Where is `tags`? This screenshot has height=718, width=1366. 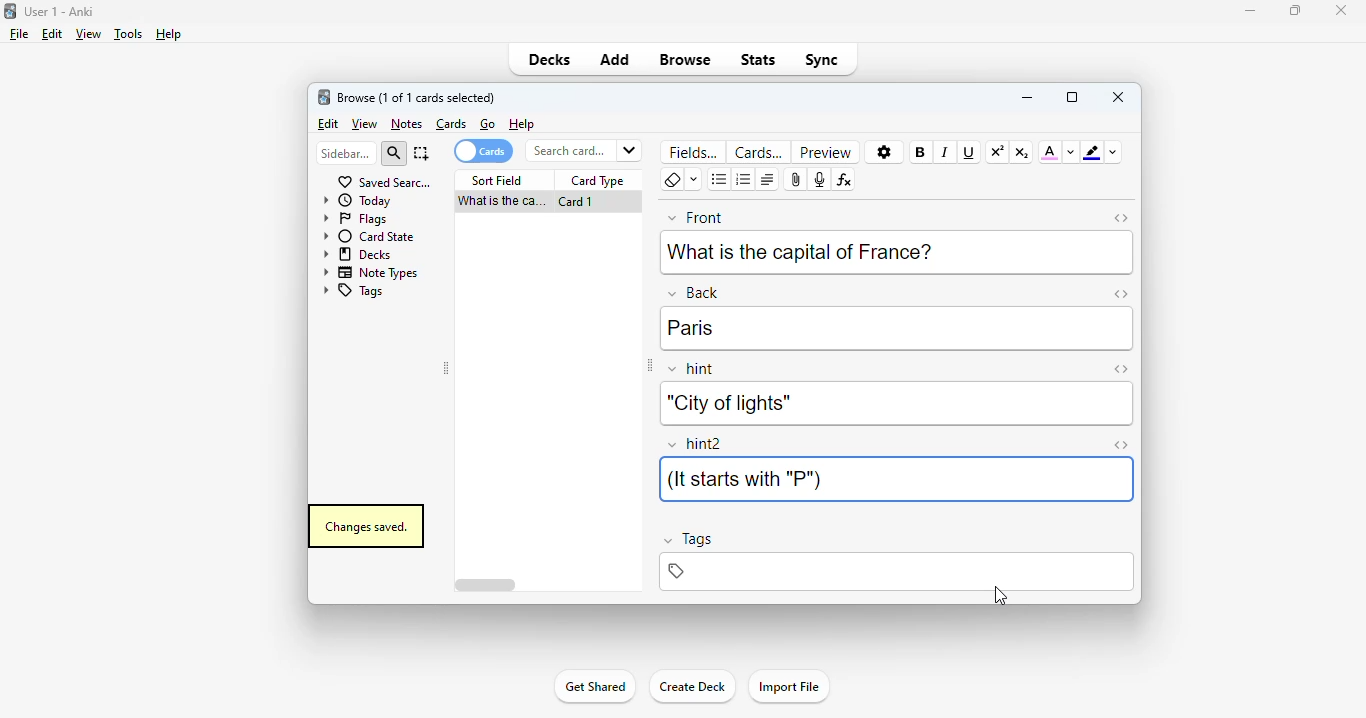 tags is located at coordinates (687, 541).